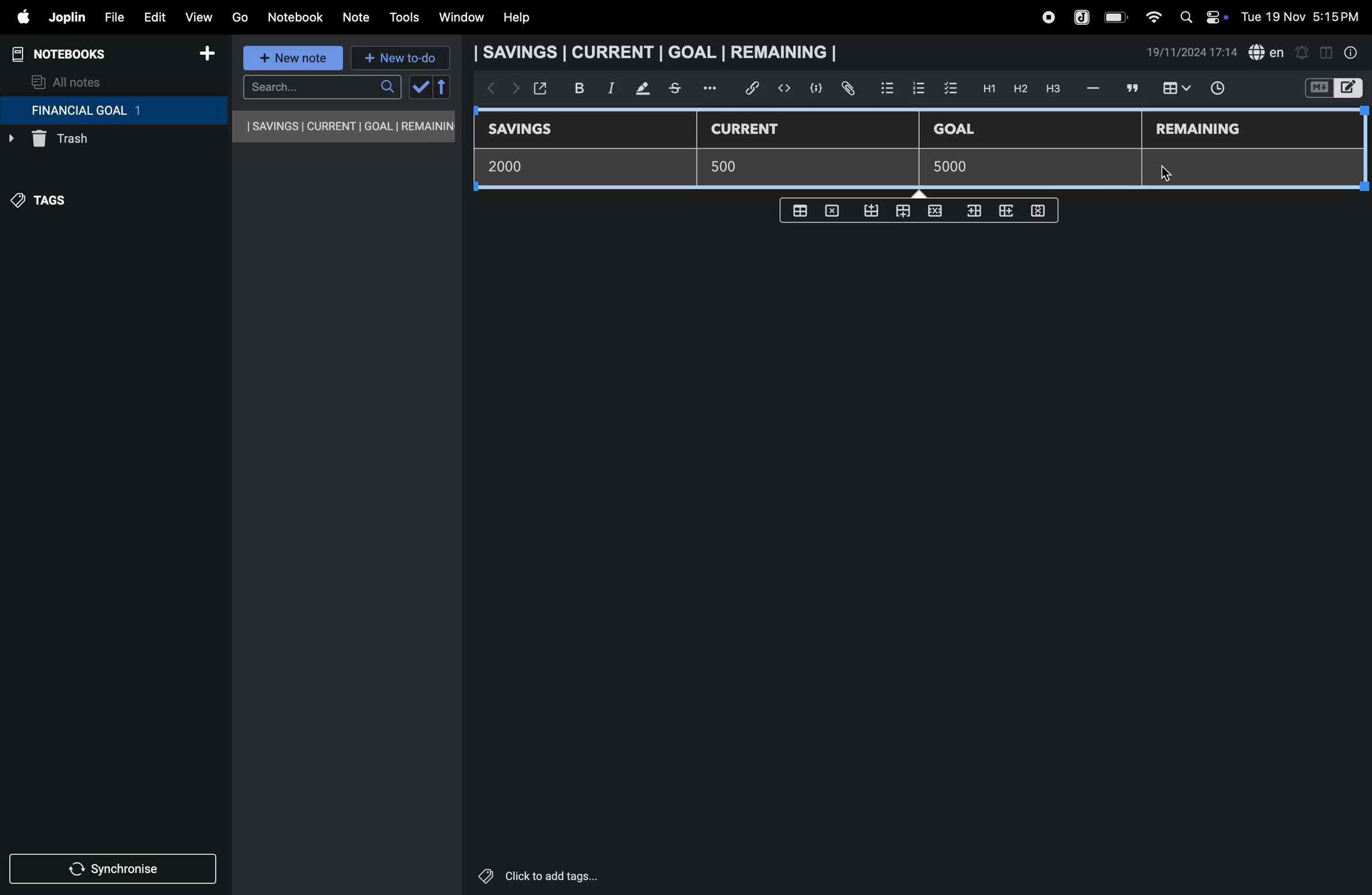  Describe the element at coordinates (345, 126) in the screenshot. I see `savings current goal remaining` at that location.